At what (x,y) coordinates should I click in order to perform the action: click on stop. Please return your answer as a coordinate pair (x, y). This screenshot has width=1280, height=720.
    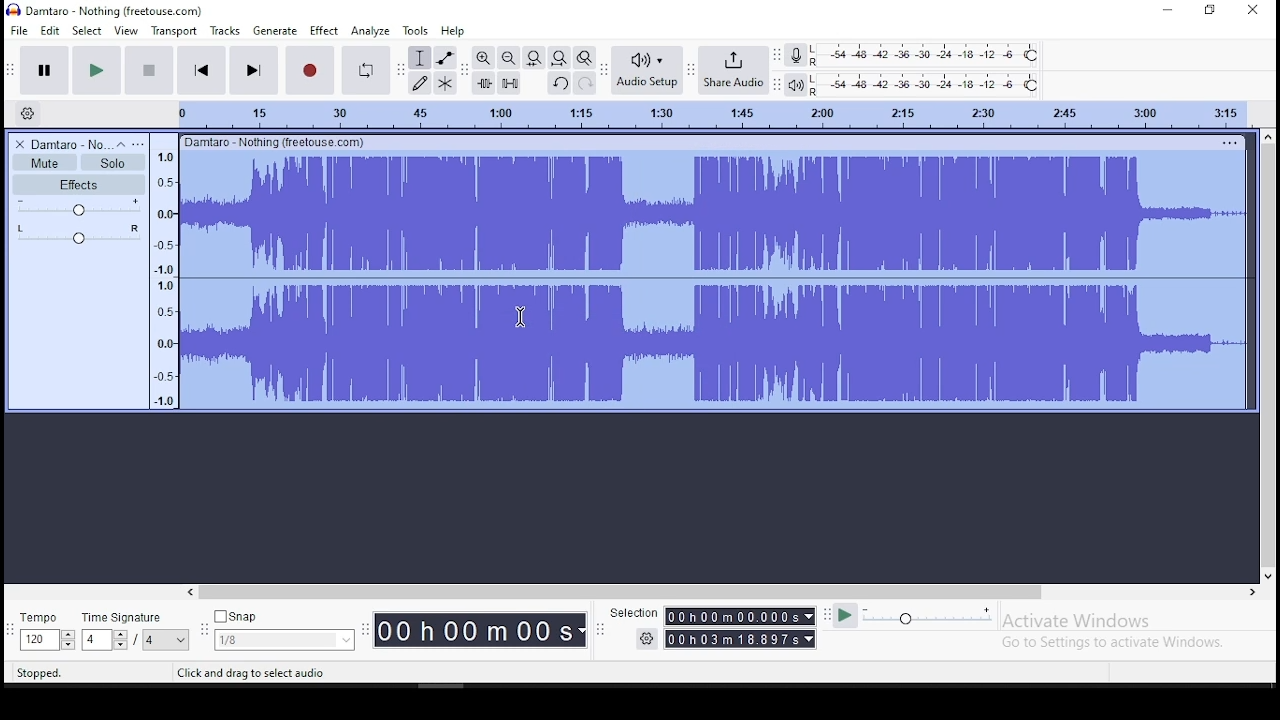
    Looking at the image, I should click on (149, 69).